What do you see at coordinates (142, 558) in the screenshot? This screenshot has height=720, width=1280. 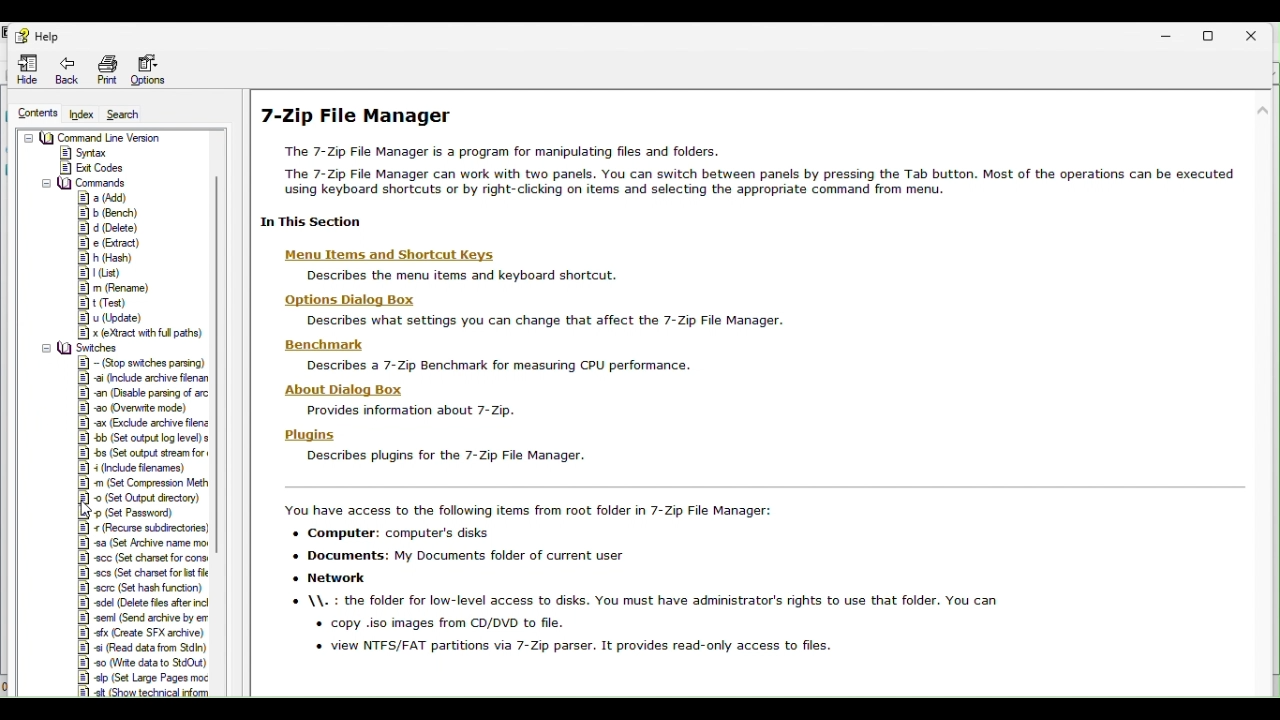 I see `Set charset for cons` at bounding box center [142, 558].